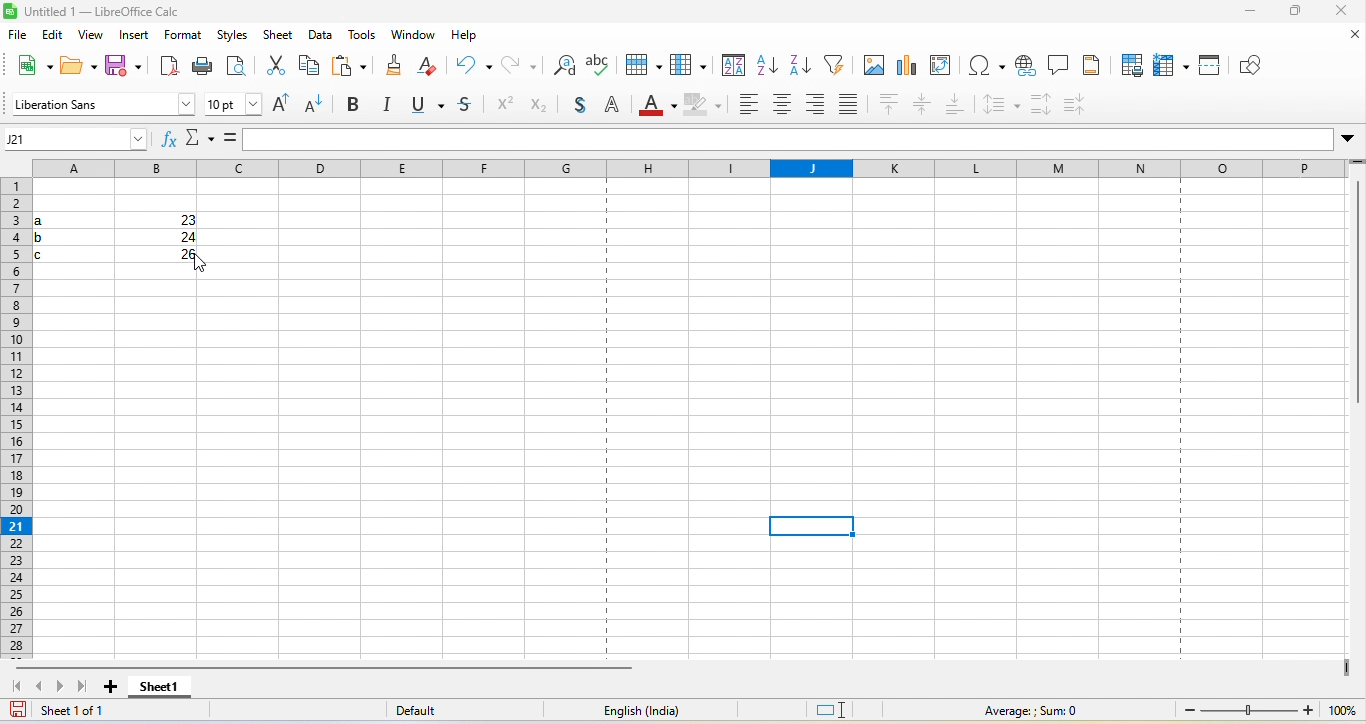  I want to click on show draw function, so click(1249, 65).